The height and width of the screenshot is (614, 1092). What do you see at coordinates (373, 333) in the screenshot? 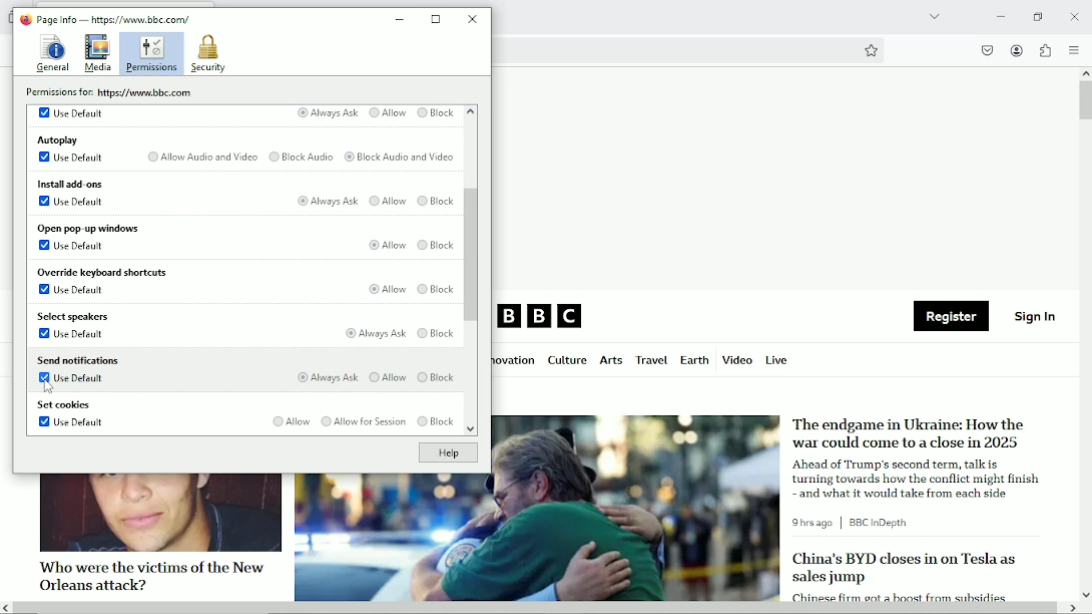
I see `Always ask` at bounding box center [373, 333].